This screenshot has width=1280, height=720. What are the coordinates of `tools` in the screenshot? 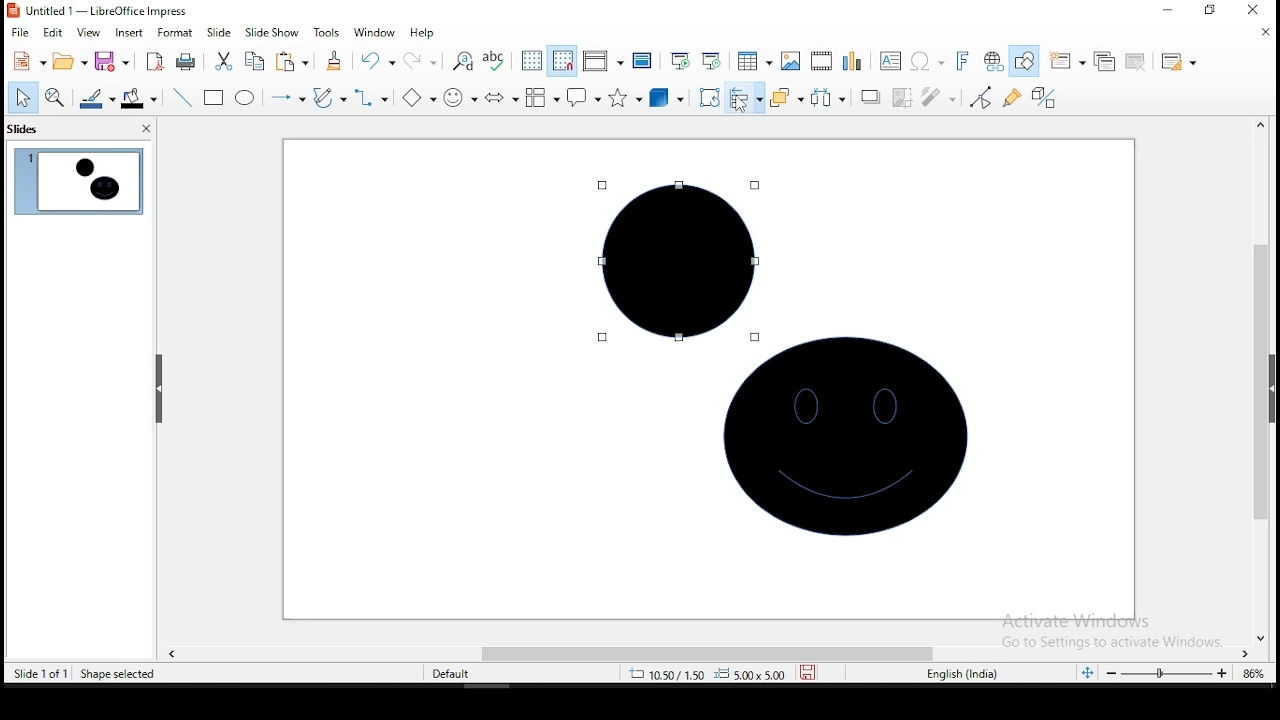 It's located at (324, 32).